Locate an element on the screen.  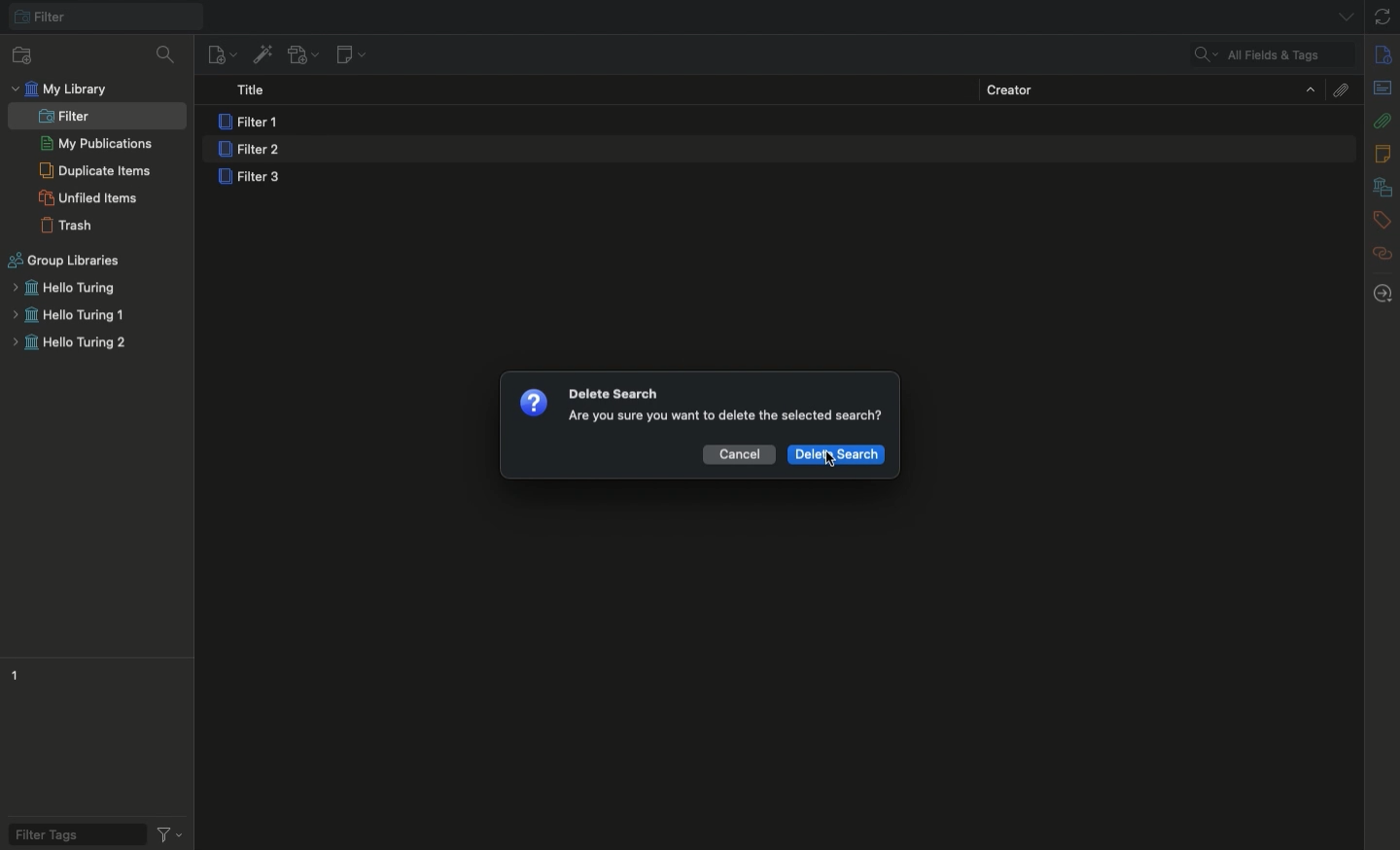
Filter collections is located at coordinates (168, 54).